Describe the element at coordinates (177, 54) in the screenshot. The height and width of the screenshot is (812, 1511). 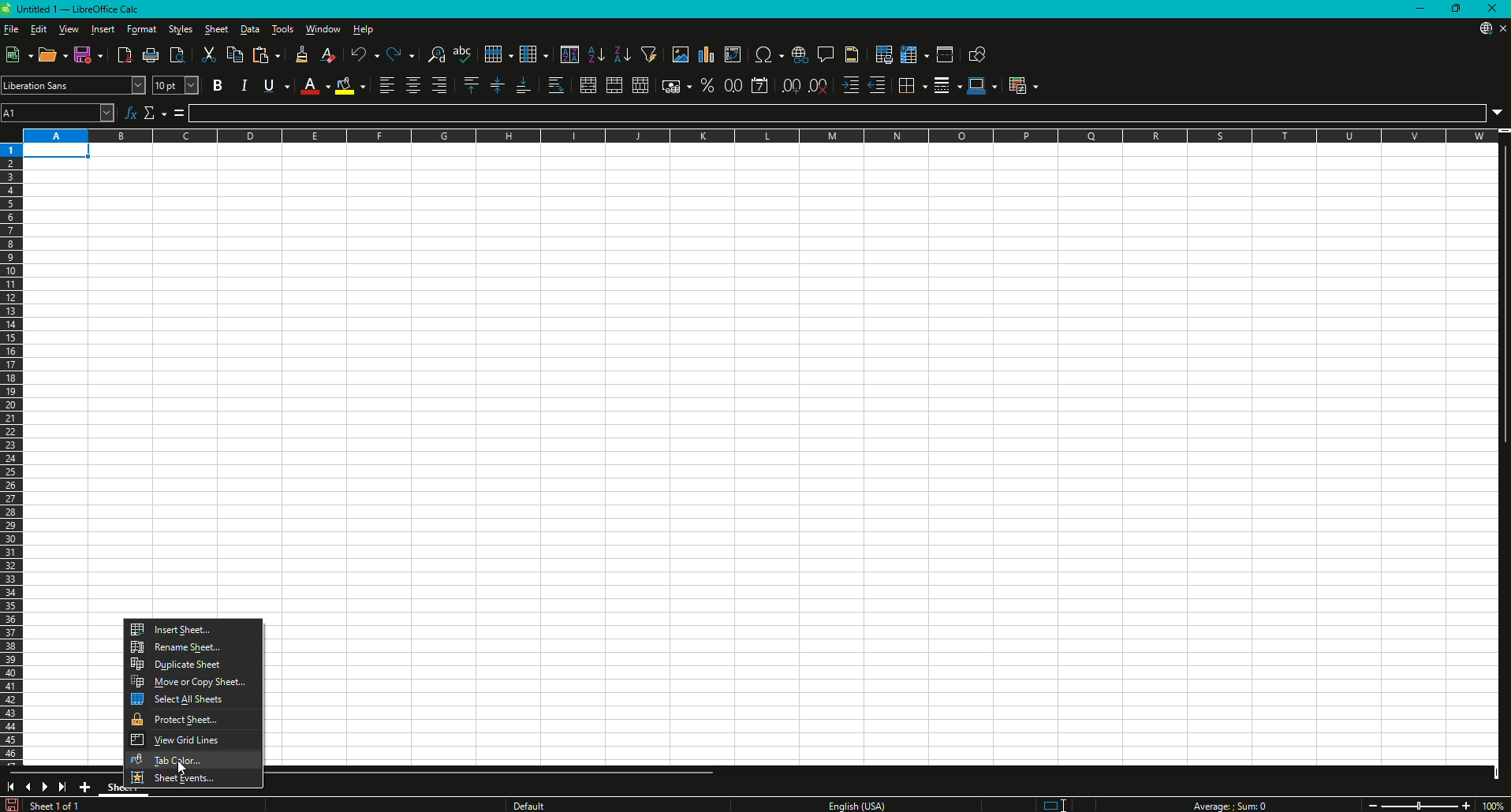
I see `Toggle Print Preview` at that location.